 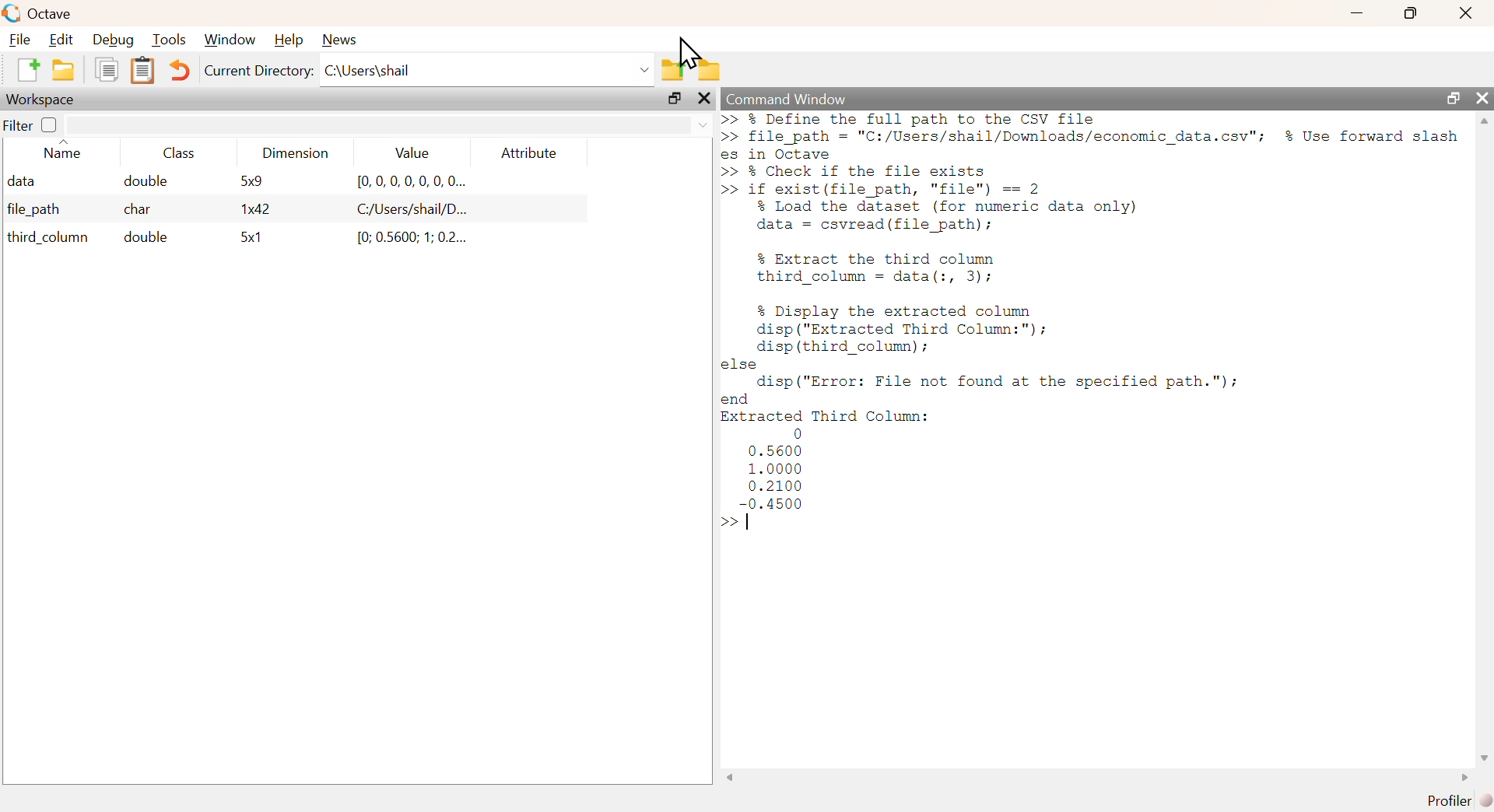 I want to click on documents, so click(x=108, y=71).